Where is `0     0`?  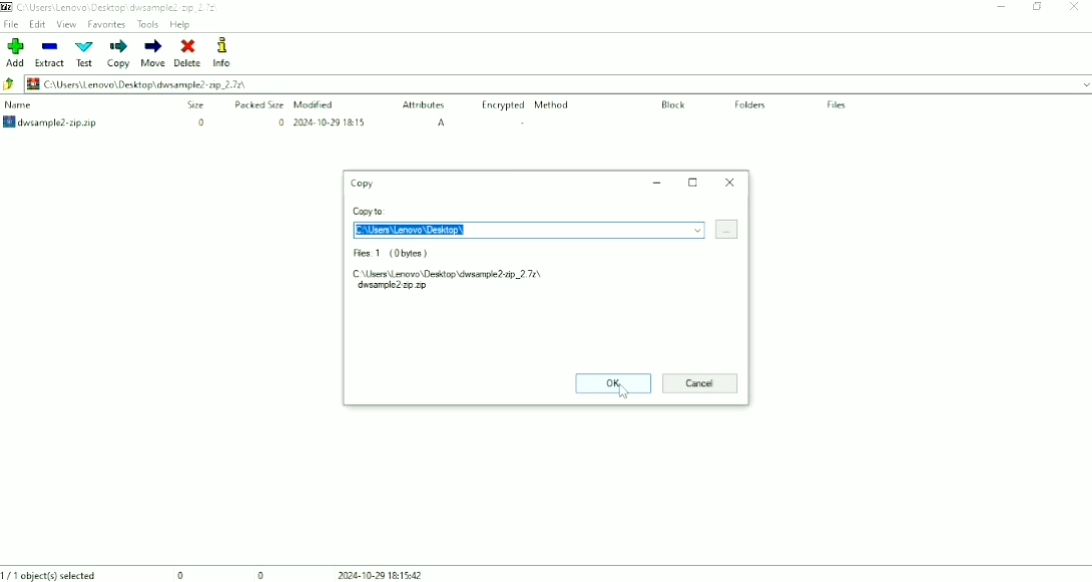
0     0 is located at coordinates (222, 574).